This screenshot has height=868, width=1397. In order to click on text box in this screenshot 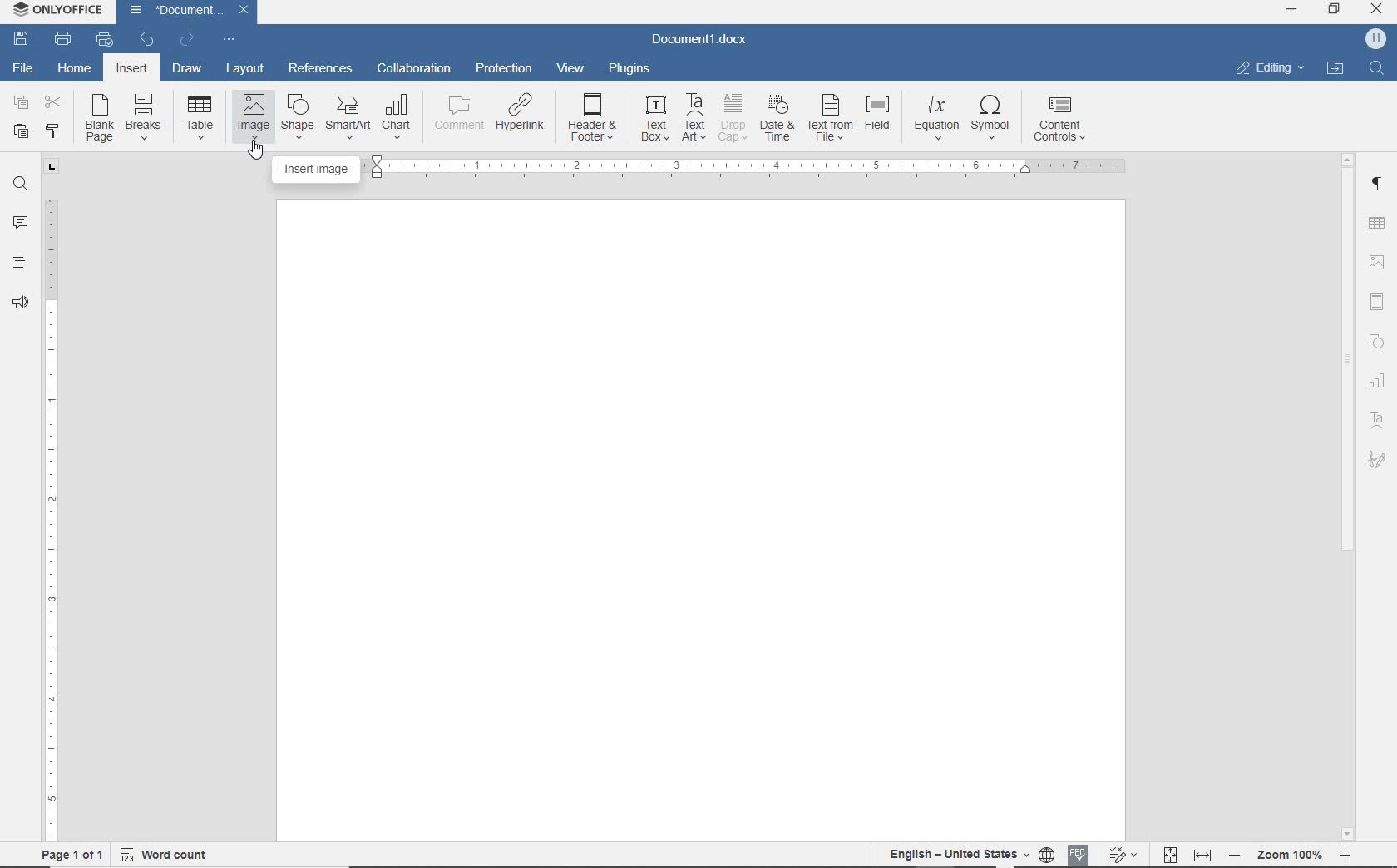, I will do `click(652, 120)`.